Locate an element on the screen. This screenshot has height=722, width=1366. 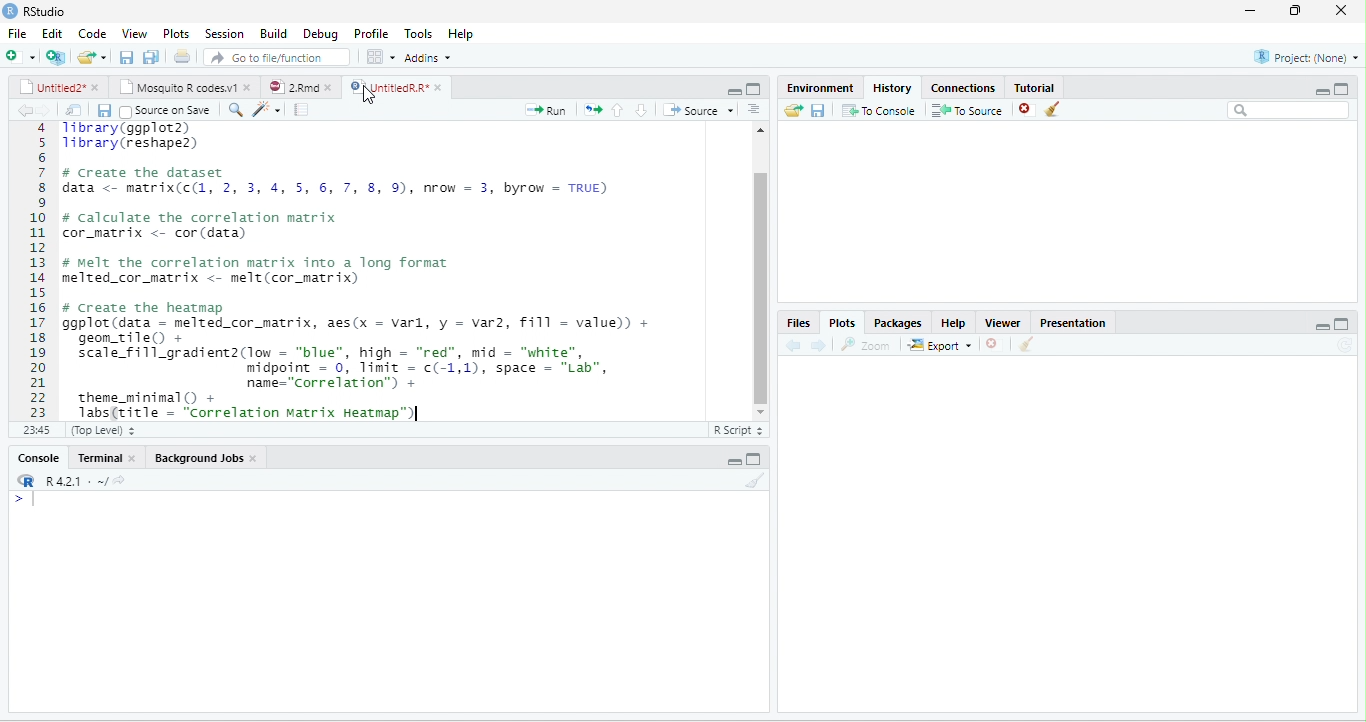
+ Run is located at coordinates (538, 110).